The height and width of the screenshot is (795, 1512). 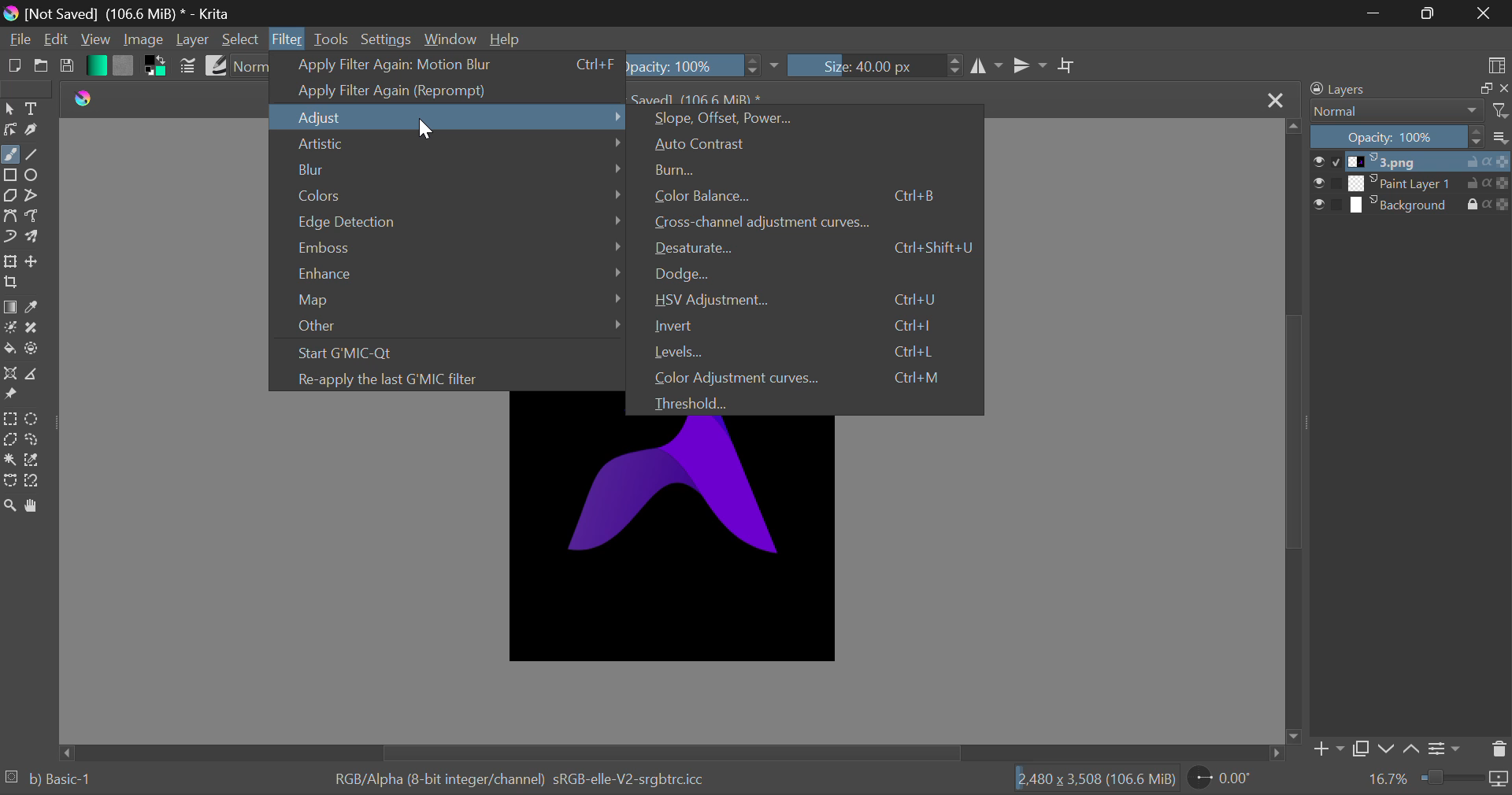 I want to click on Similar Color Selector, so click(x=36, y=460).